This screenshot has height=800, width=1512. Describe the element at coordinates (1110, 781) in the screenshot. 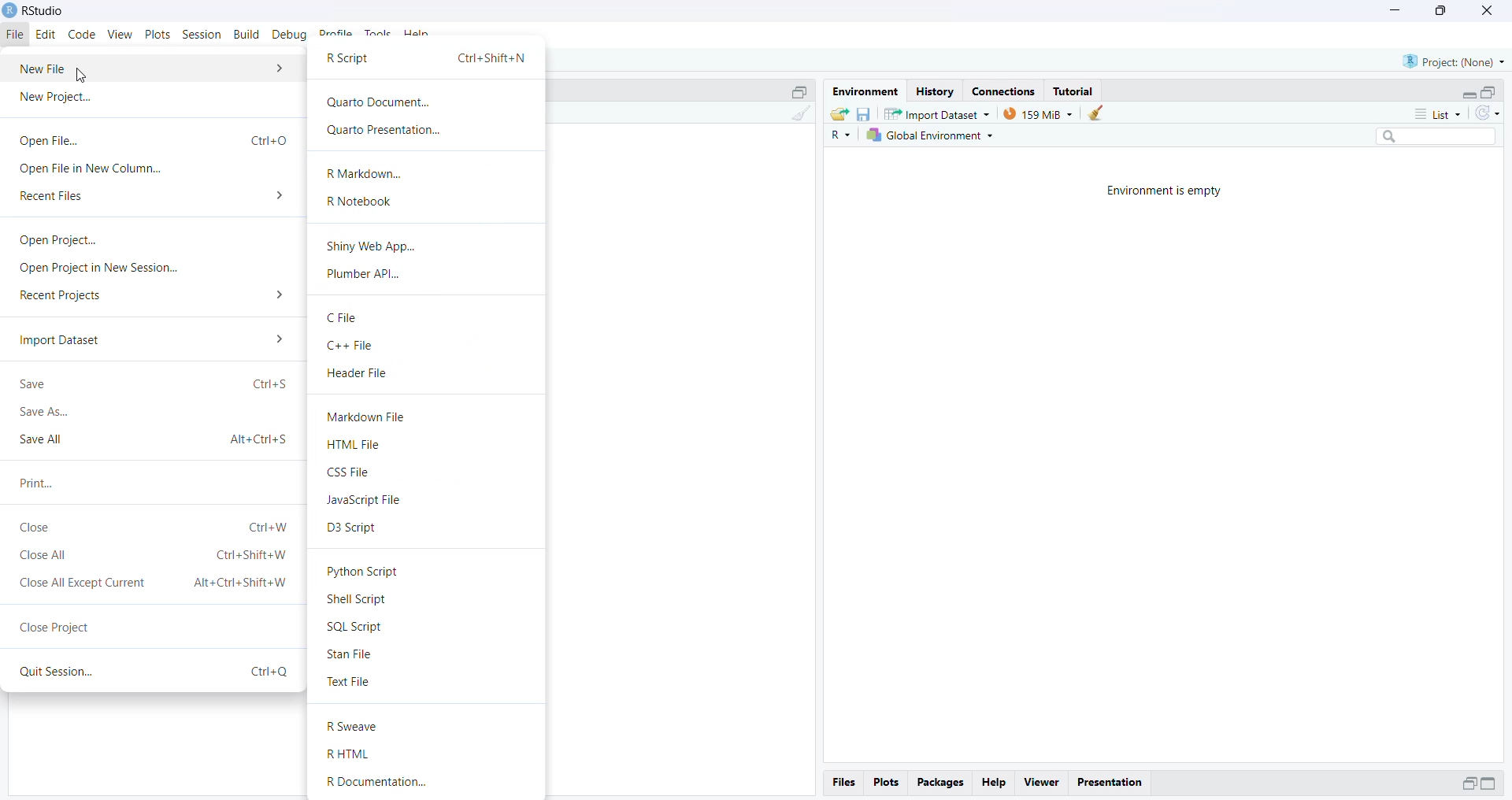

I see `presentation` at that location.